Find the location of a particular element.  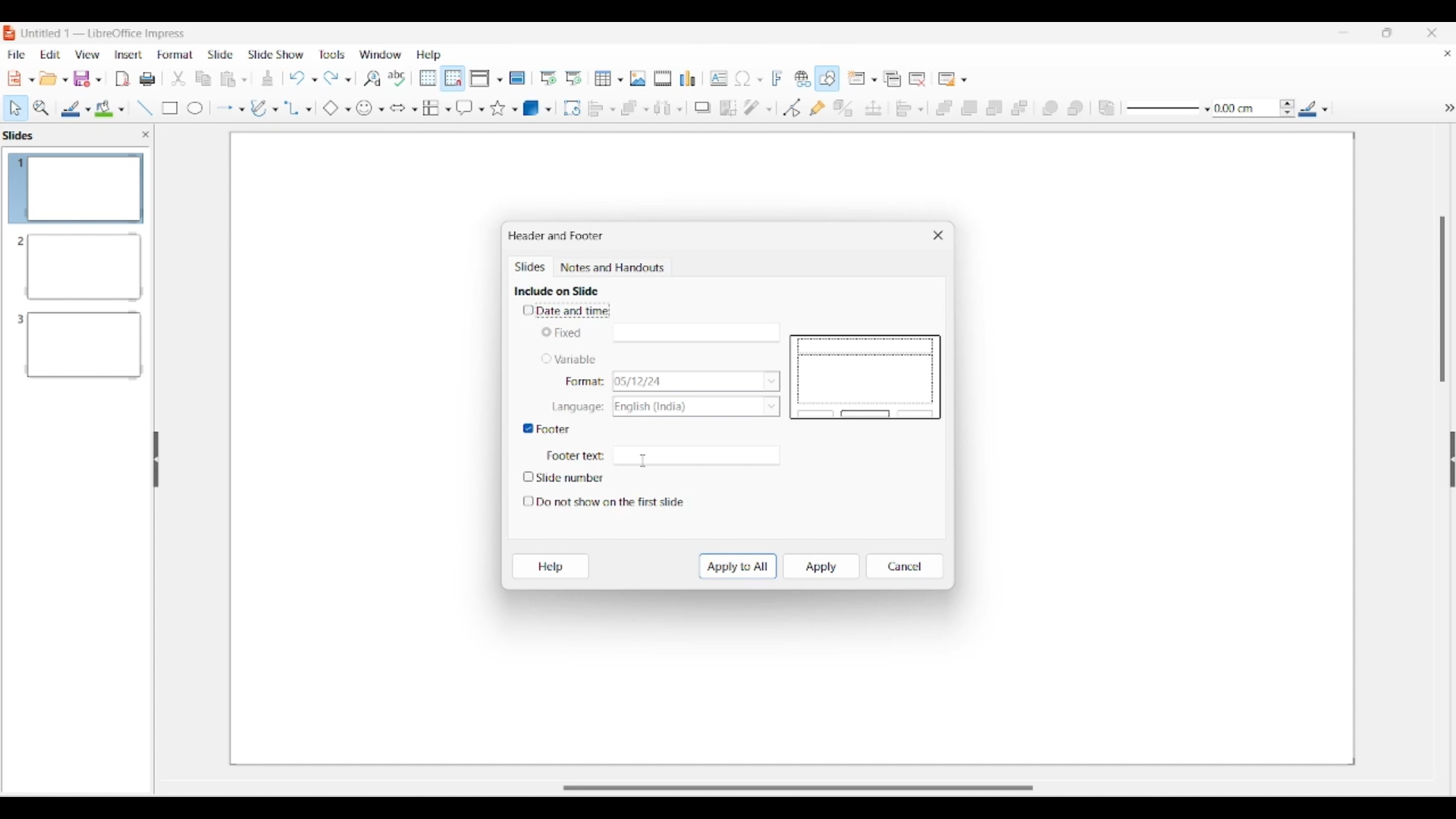

Hide left panel is located at coordinates (156, 460).